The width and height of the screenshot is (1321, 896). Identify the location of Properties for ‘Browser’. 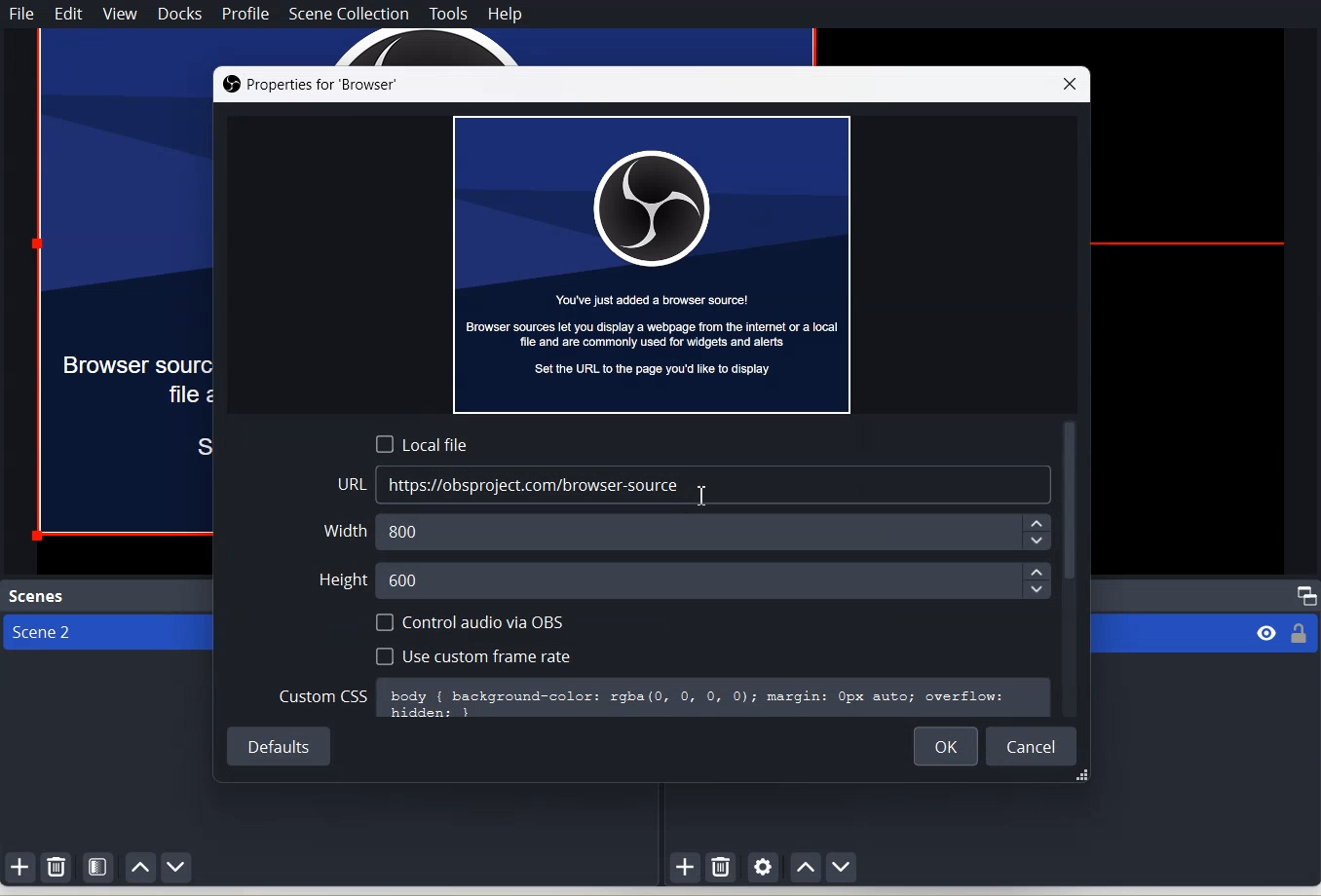
(316, 85).